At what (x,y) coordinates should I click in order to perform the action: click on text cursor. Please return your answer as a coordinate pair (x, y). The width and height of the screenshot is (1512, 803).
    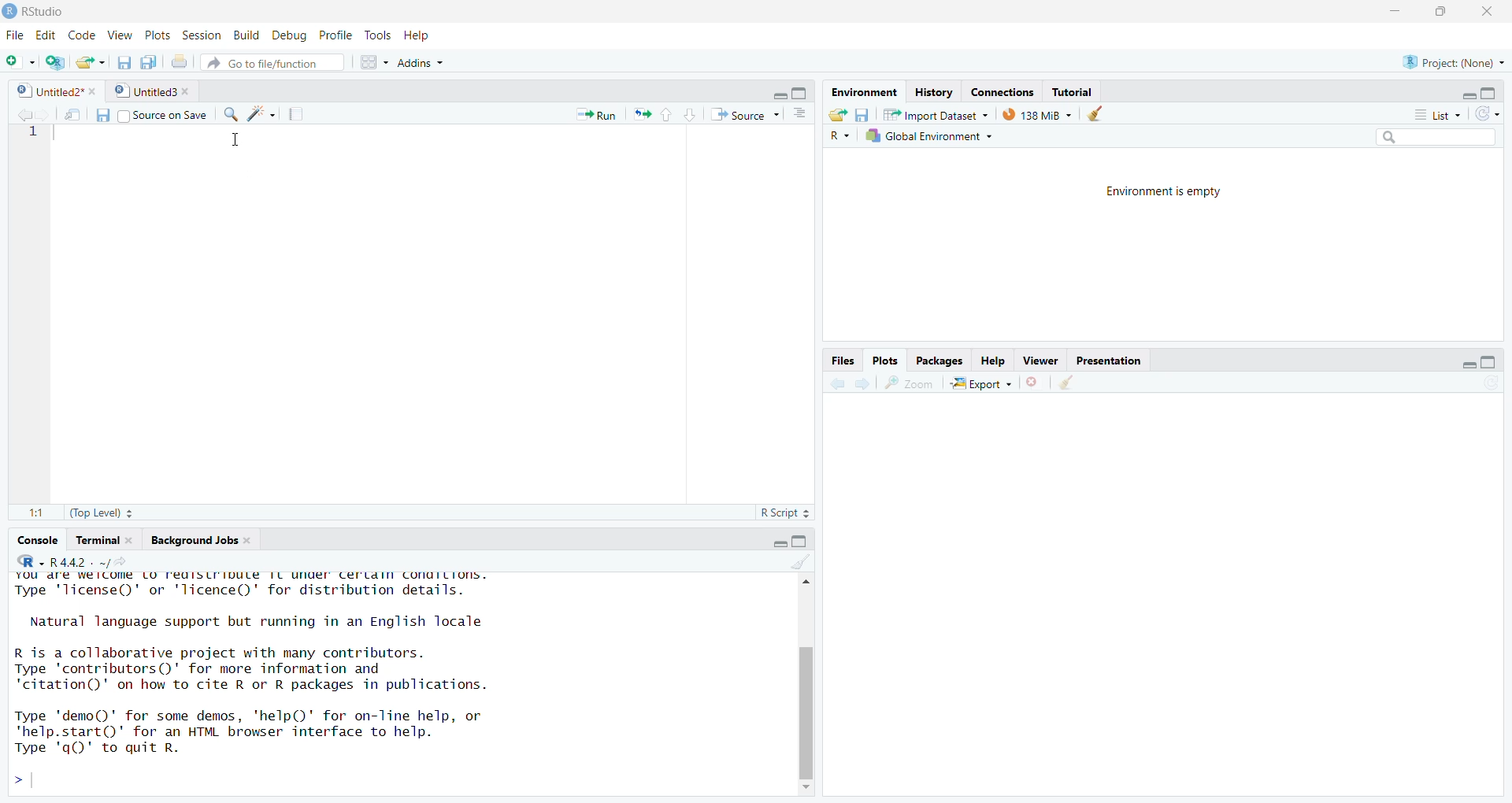
    Looking at the image, I should click on (232, 140).